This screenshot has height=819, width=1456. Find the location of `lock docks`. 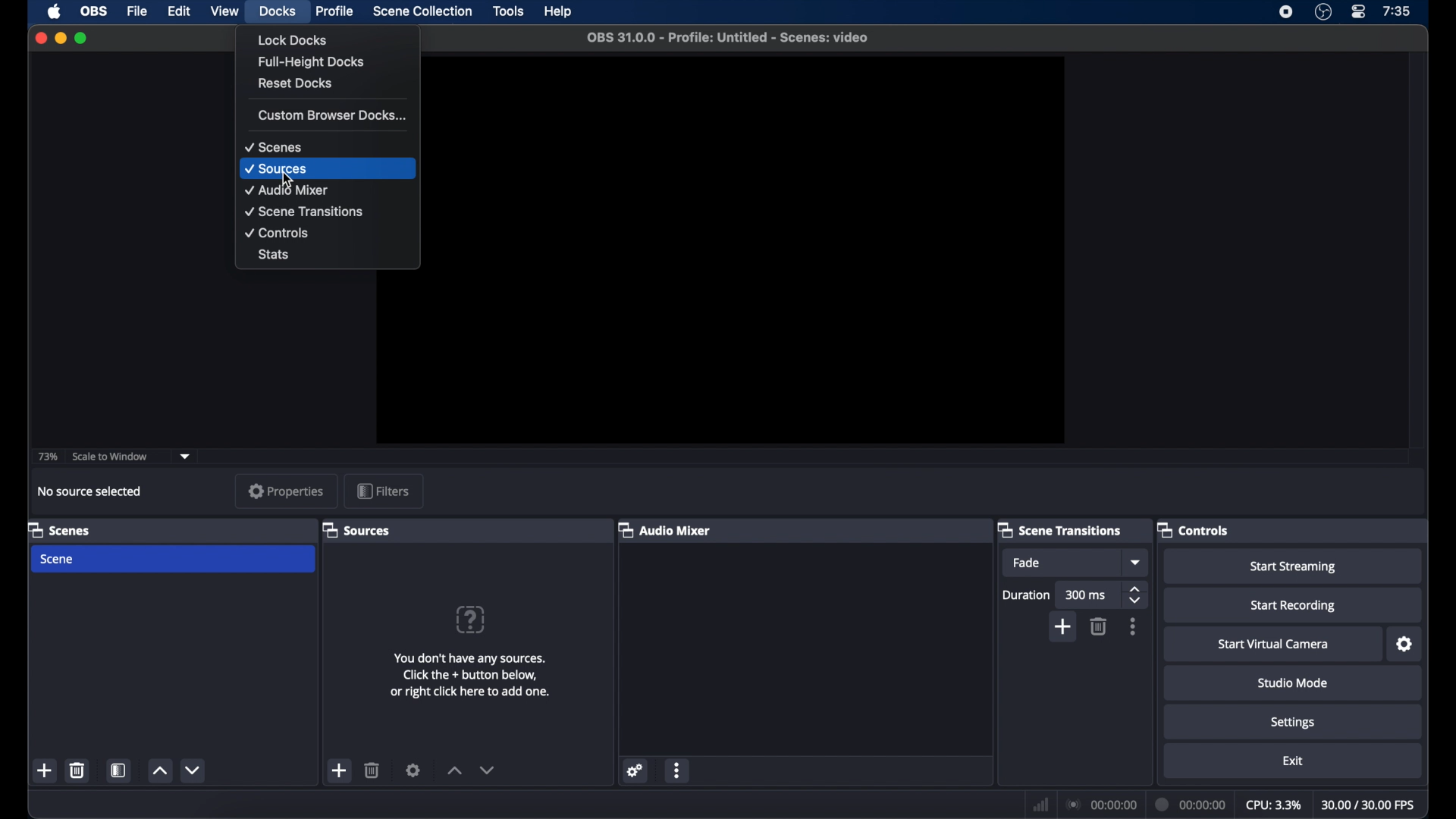

lock docks is located at coordinates (293, 39).